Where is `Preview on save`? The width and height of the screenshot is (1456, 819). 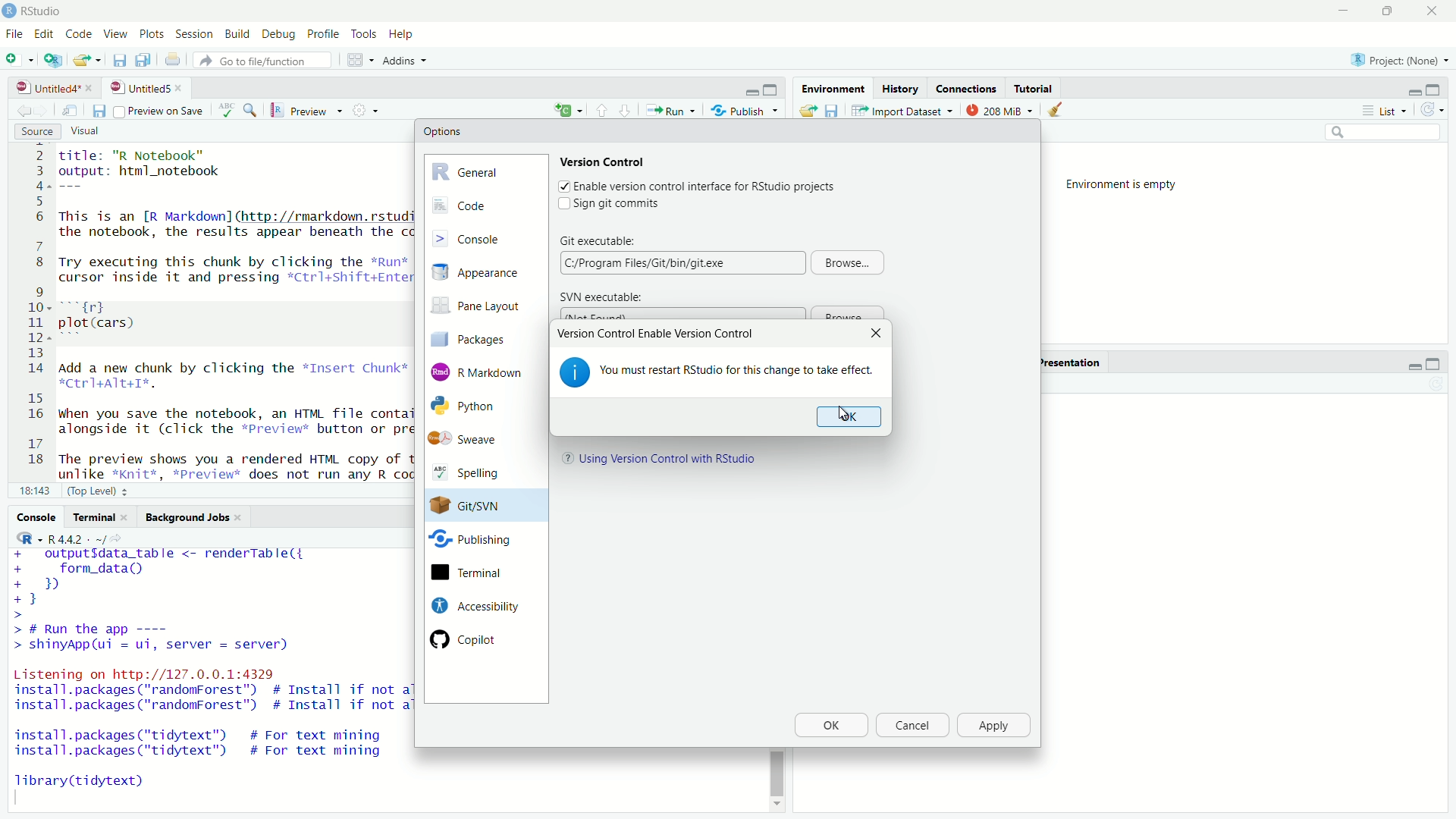
Preview on save is located at coordinates (158, 111).